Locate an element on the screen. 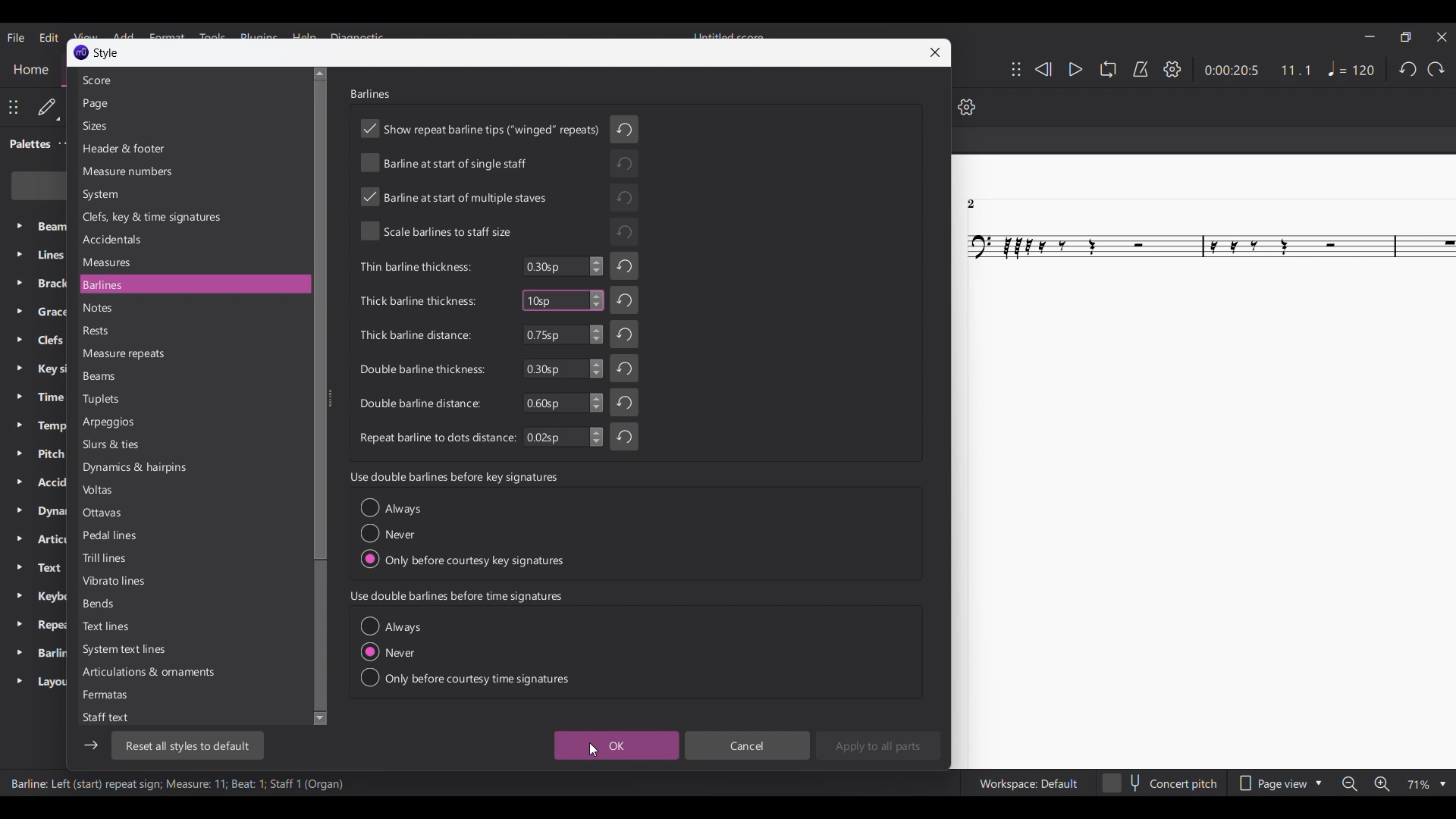 The width and height of the screenshot is (1456, 819). Undo changes is located at coordinates (624, 282).